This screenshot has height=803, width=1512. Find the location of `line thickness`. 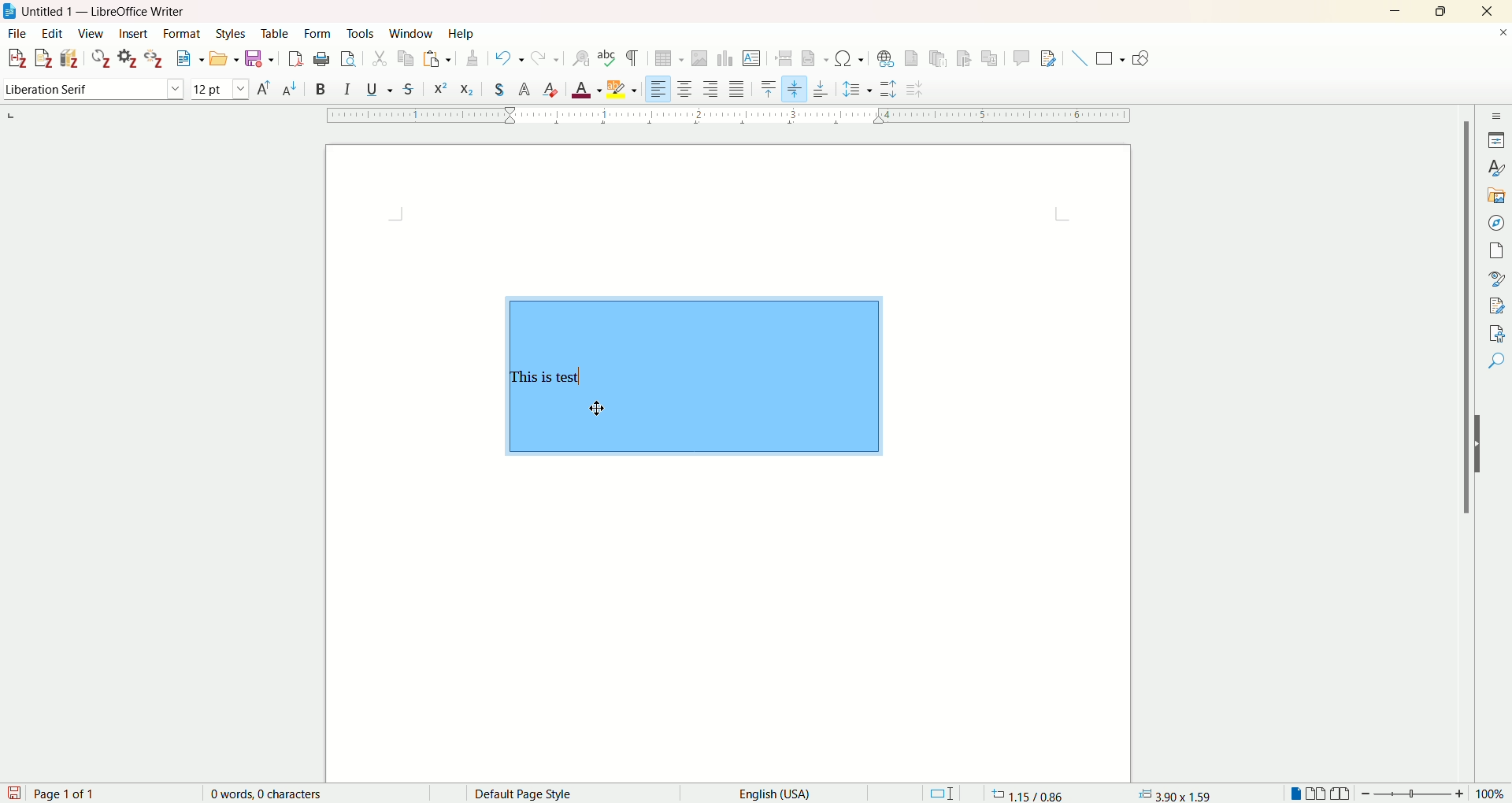

line thickness is located at coordinates (580, 87).